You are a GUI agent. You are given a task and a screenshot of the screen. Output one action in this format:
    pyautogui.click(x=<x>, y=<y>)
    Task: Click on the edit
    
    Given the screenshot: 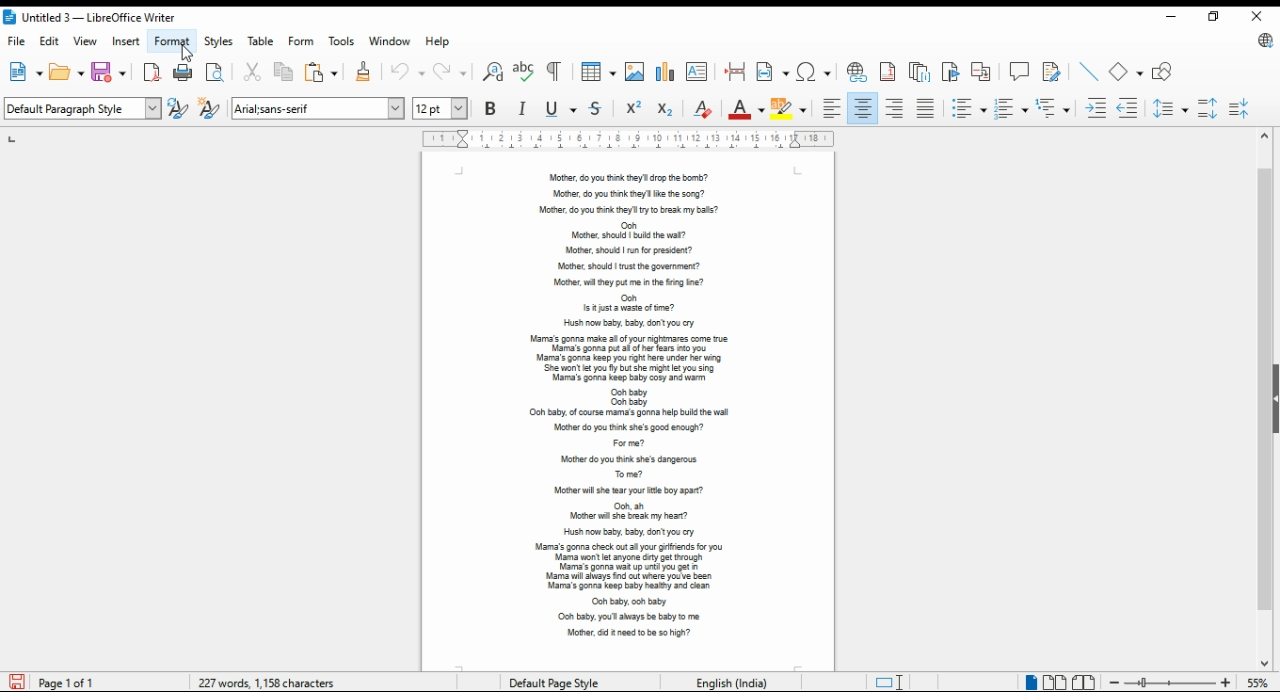 What is the action you would take?
    pyautogui.click(x=51, y=43)
    